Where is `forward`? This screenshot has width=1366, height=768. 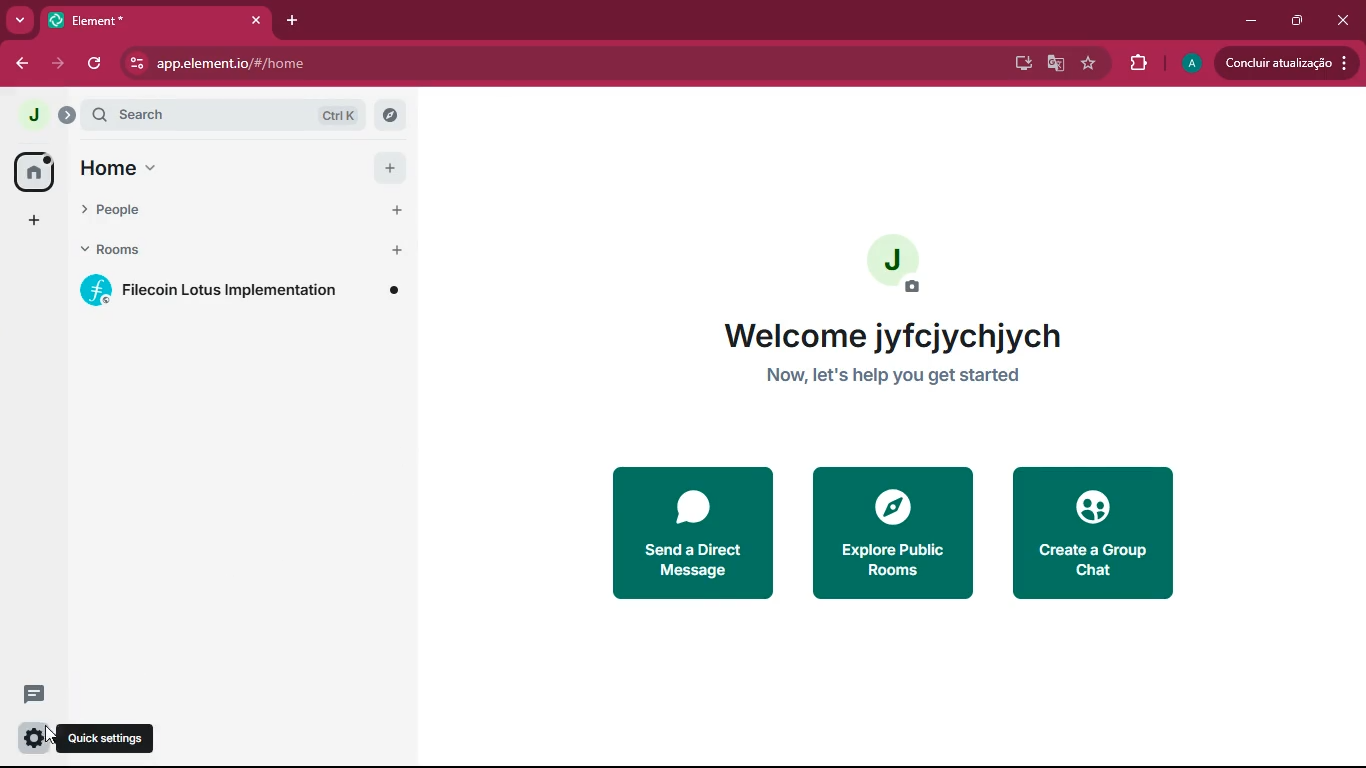 forward is located at coordinates (60, 65).